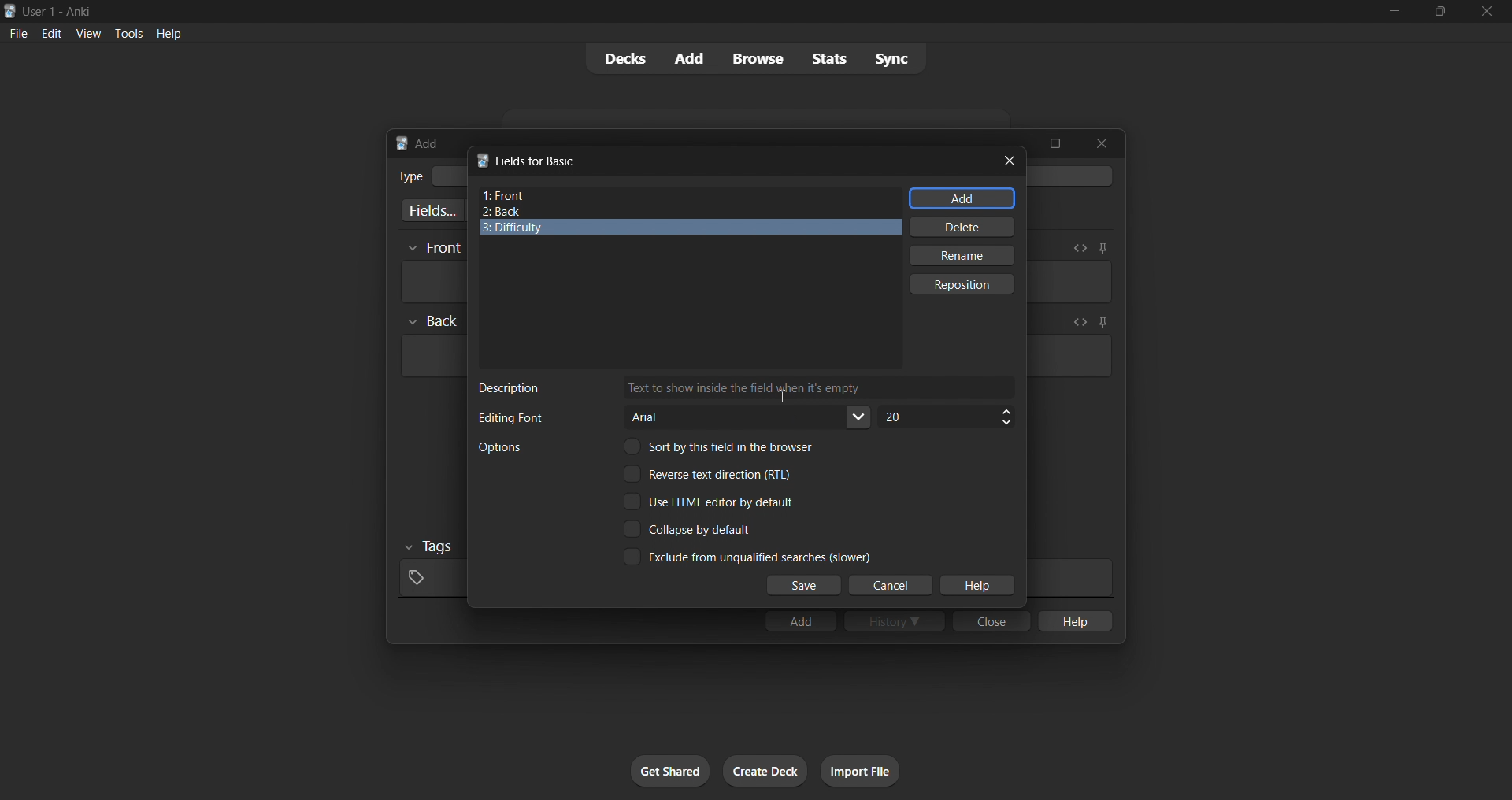 This screenshot has height=800, width=1512. I want to click on Text, so click(60, 13).